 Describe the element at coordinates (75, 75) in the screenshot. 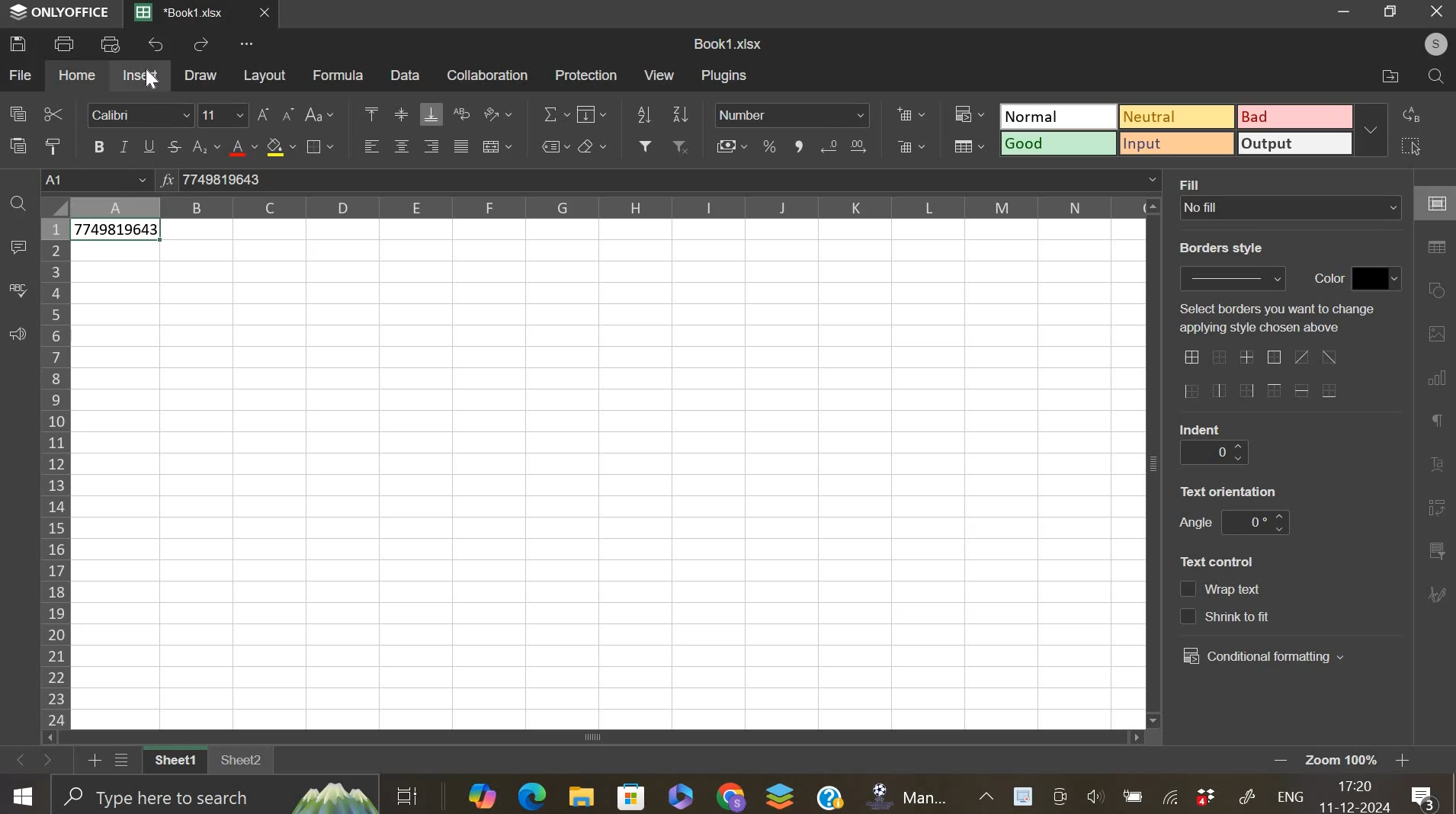

I see `home` at that location.